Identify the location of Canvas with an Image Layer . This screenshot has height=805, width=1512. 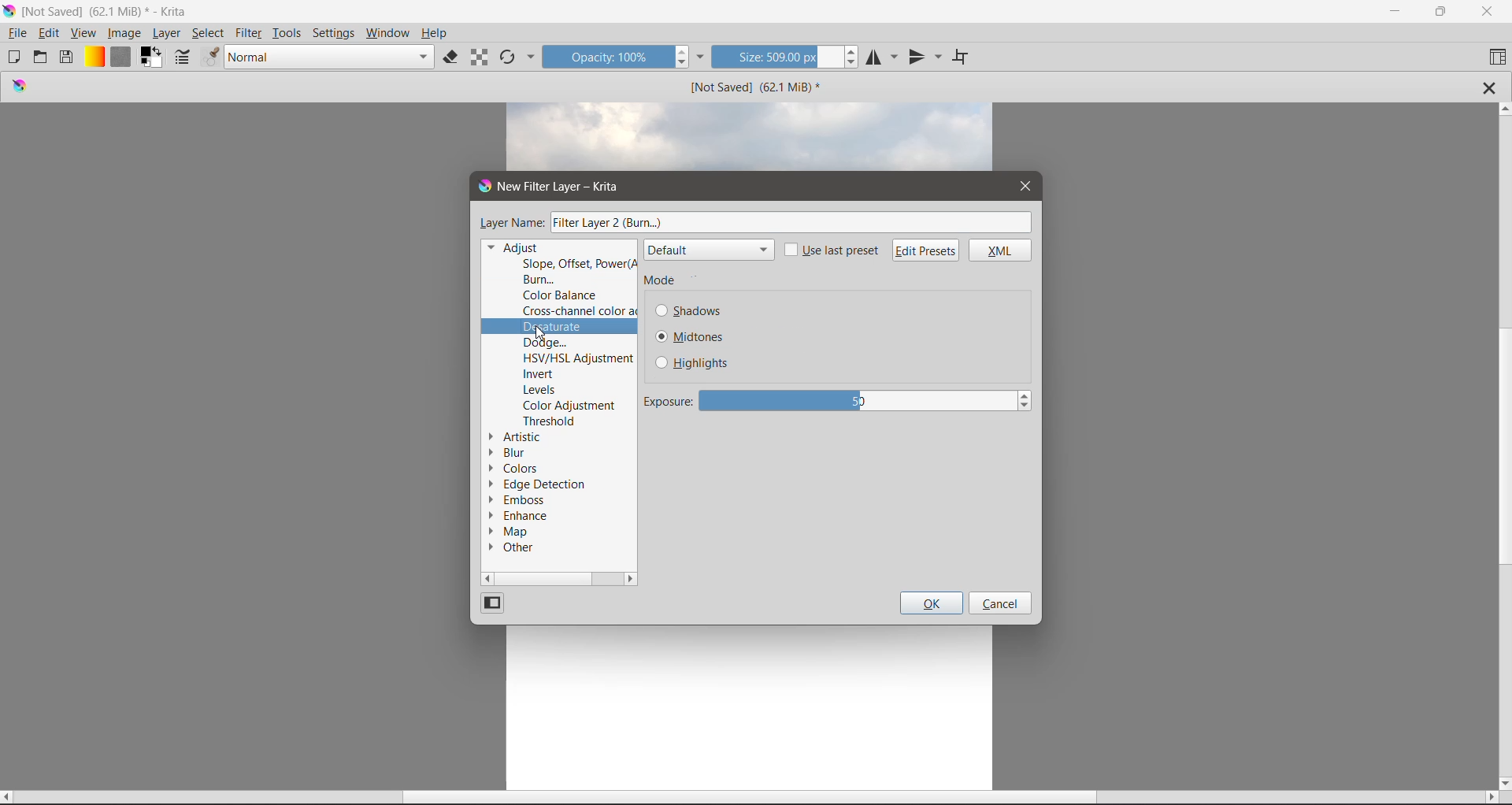
(752, 707).